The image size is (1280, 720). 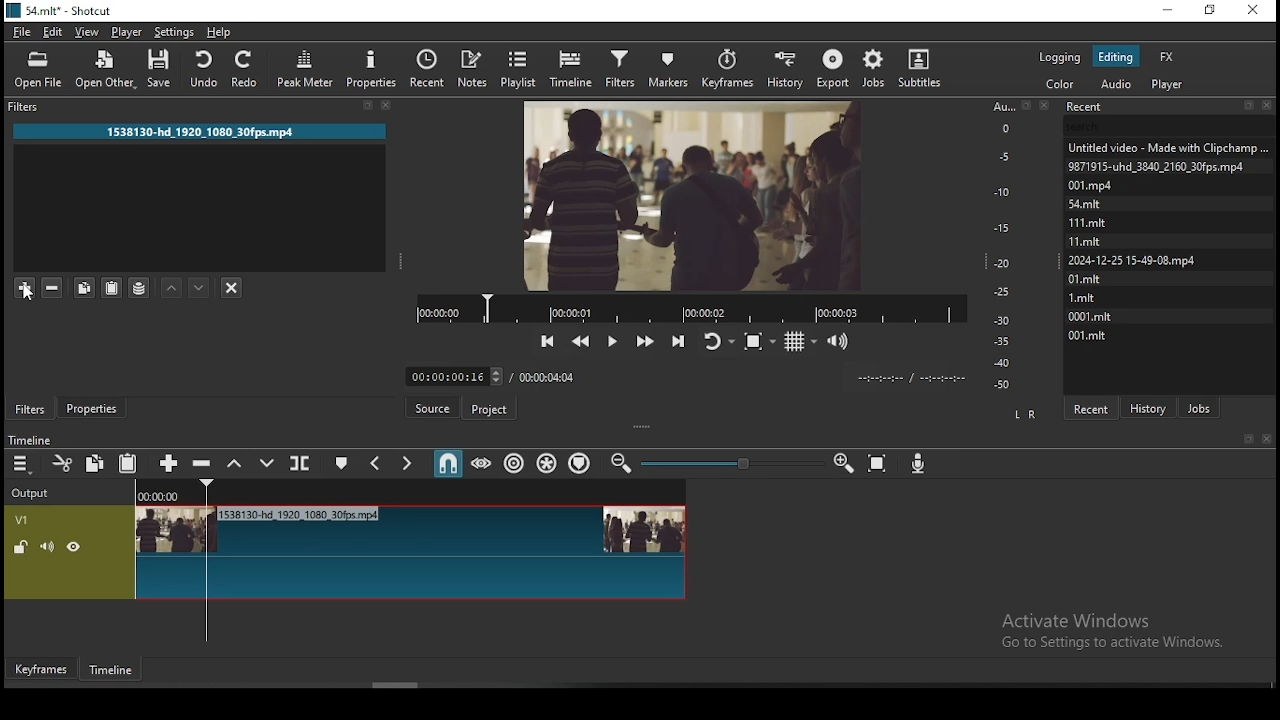 I want to click on filters, so click(x=619, y=66).